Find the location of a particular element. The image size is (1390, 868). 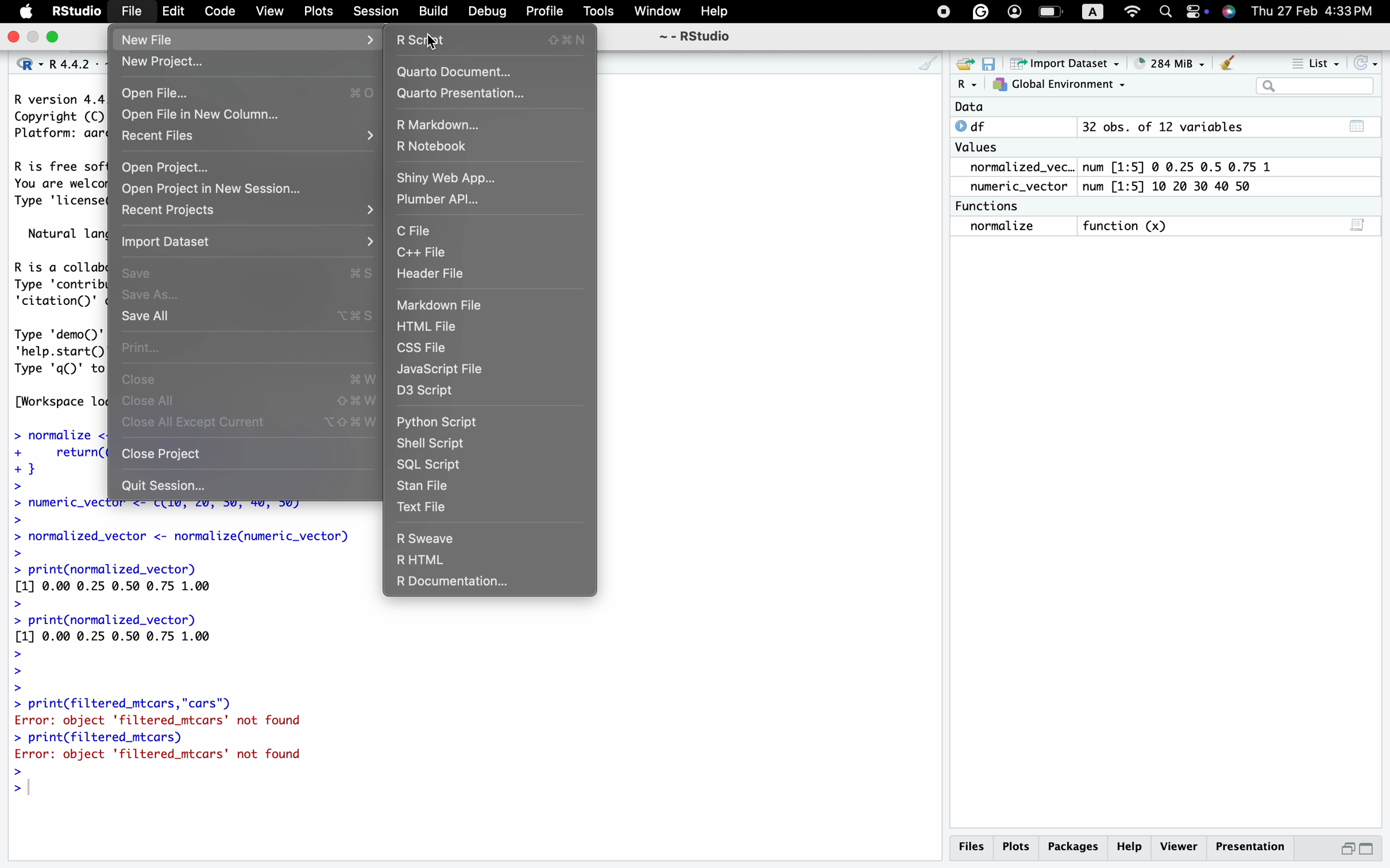

normalize is located at coordinates (1013, 227).